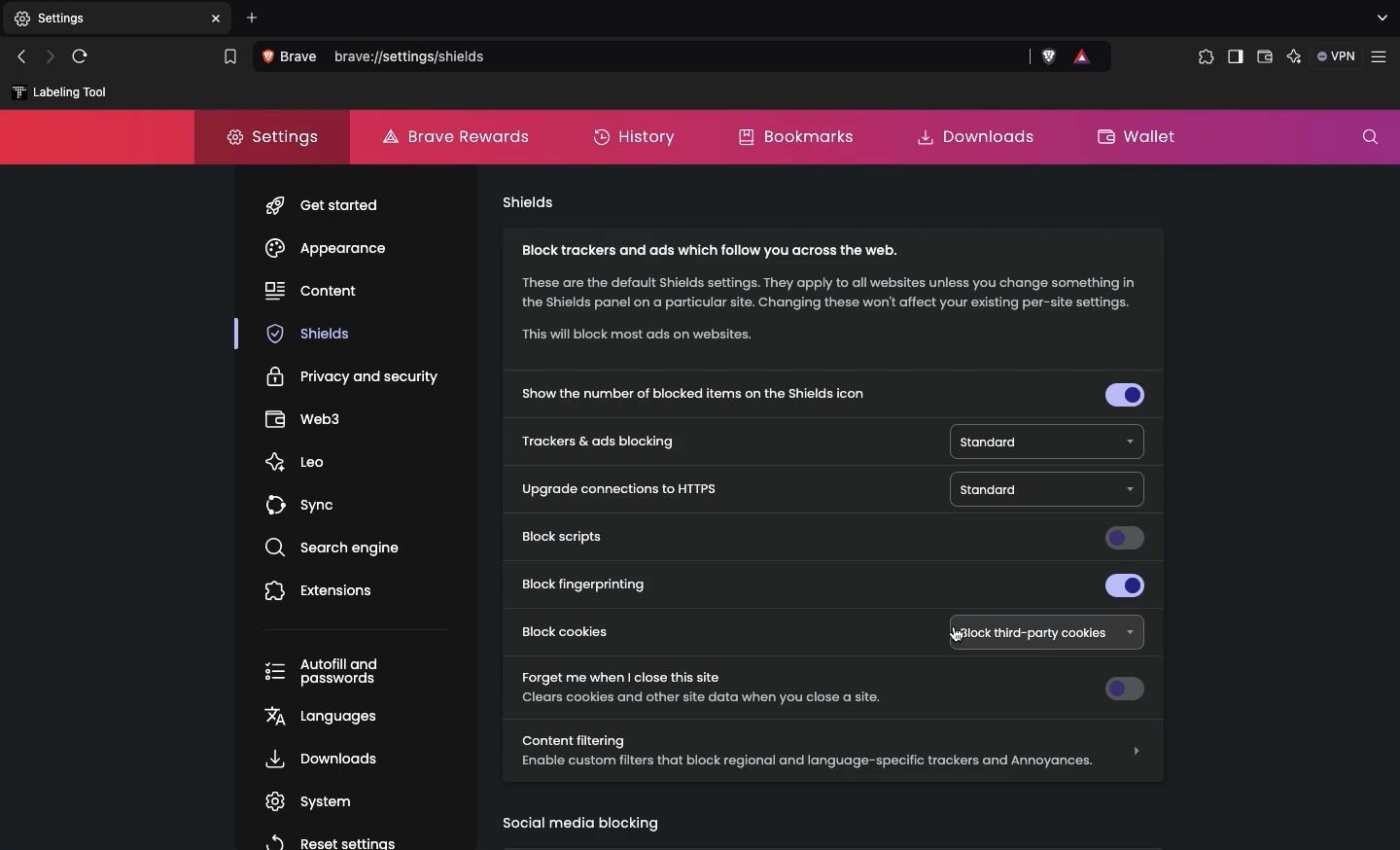  Describe the element at coordinates (830, 539) in the screenshot. I see `Block scripts` at that location.